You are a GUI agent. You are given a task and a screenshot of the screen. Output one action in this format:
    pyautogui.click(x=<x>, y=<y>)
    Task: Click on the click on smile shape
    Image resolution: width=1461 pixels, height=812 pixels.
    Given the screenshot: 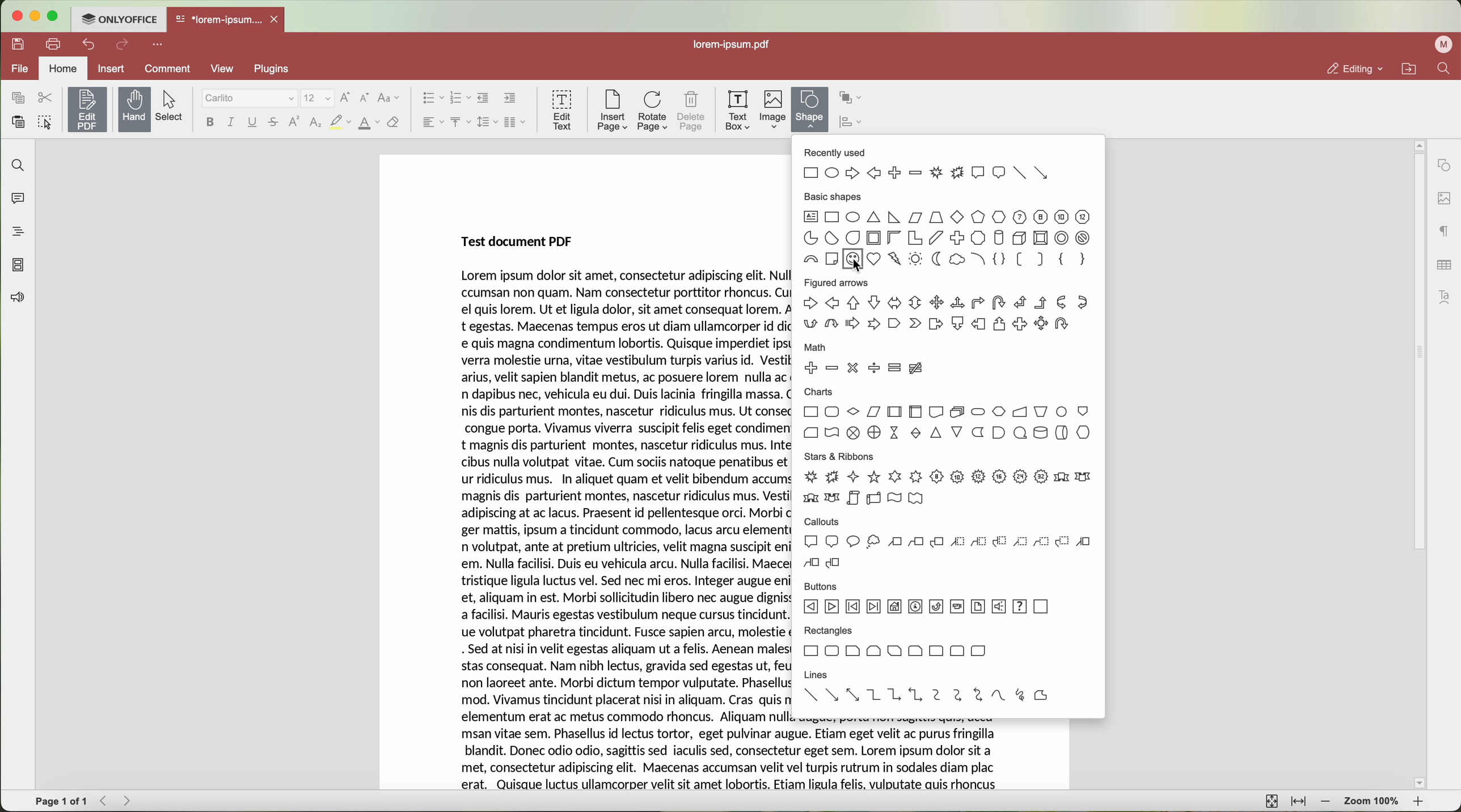 What is the action you would take?
    pyautogui.click(x=853, y=262)
    